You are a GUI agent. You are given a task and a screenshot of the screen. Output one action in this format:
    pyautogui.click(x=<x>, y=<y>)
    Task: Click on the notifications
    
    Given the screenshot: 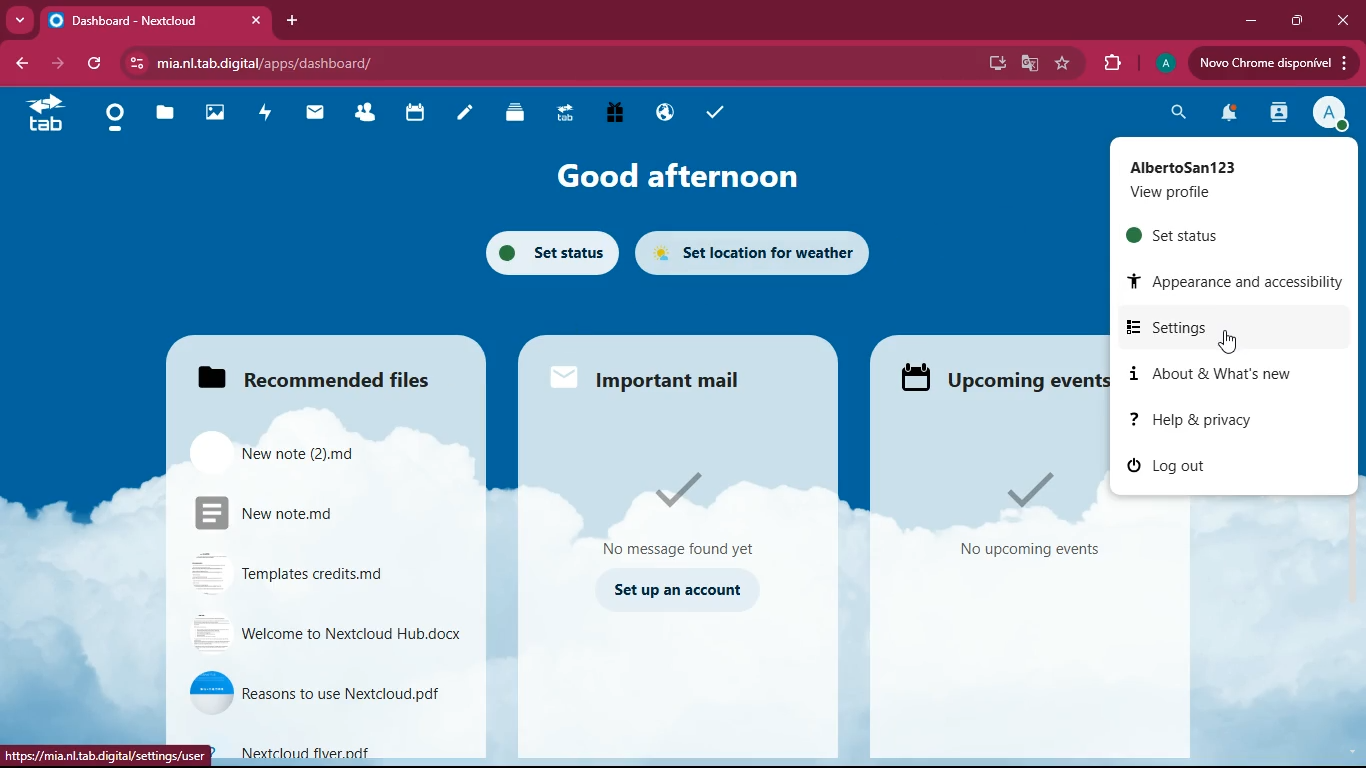 What is the action you would take?
    pyautogui.click(x=1225, y=115)
    